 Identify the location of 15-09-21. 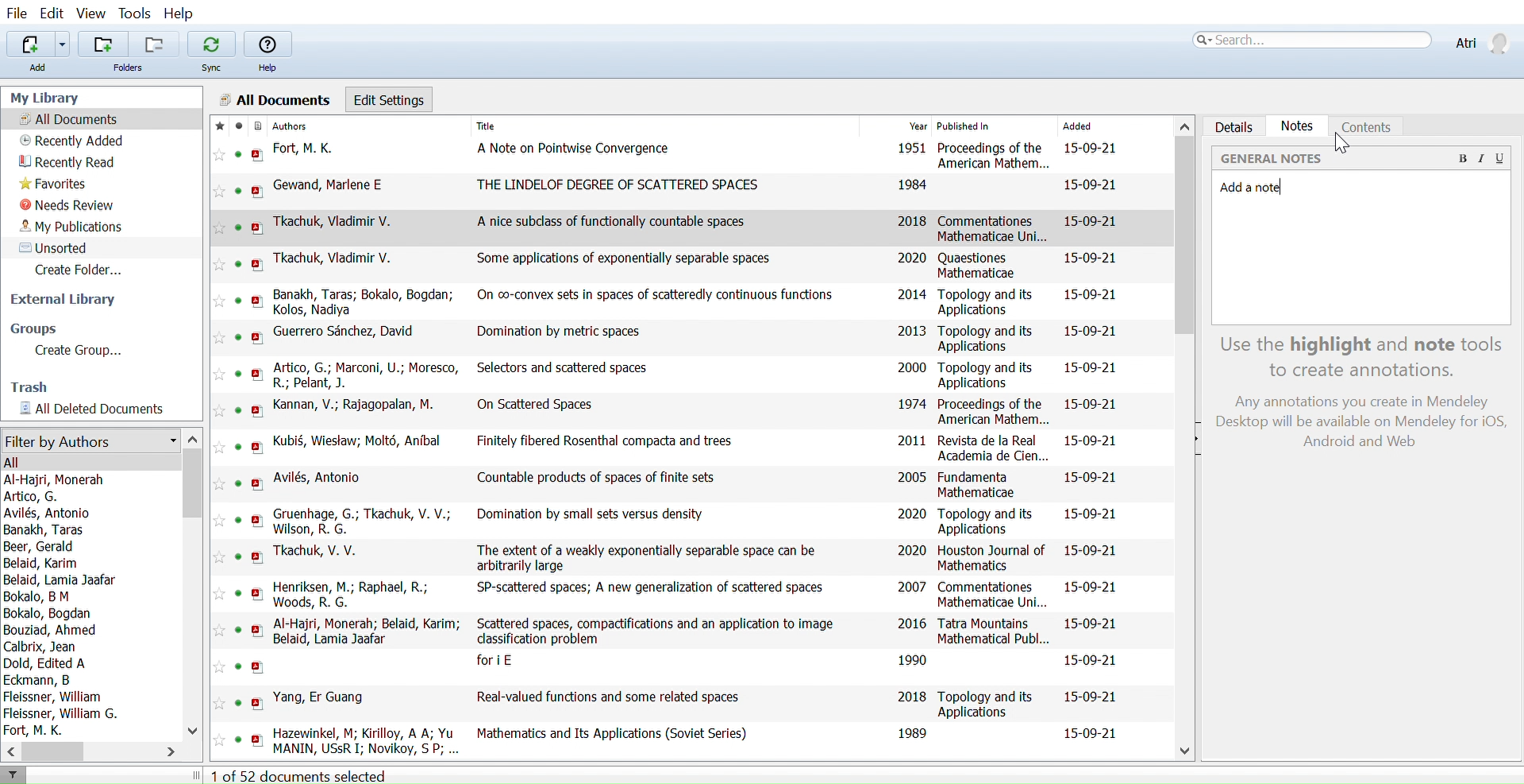
(1092, 440).